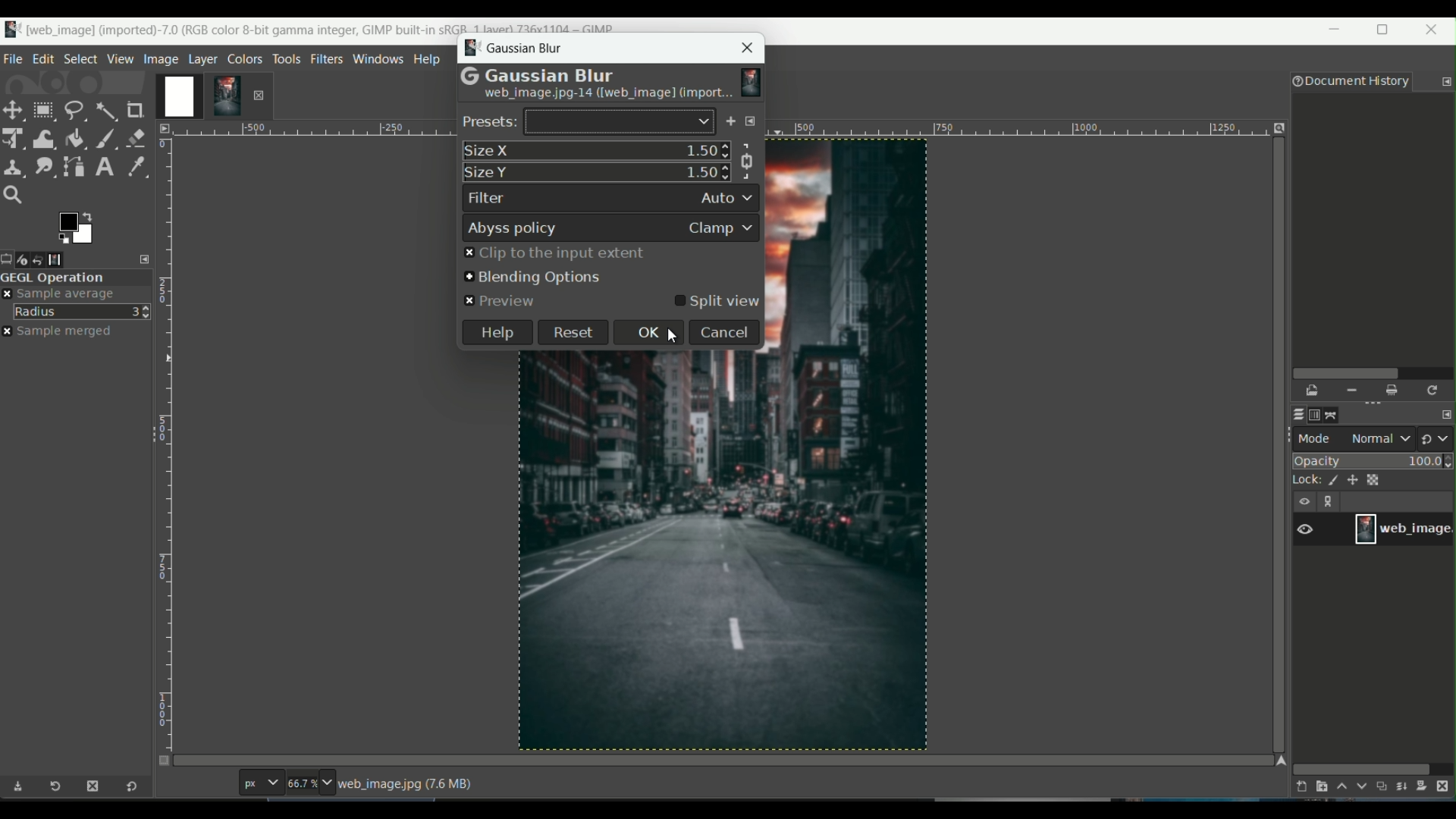  Describe the element at coordinates (1335, 33) in the screenshot. I see `minimize` at that location.